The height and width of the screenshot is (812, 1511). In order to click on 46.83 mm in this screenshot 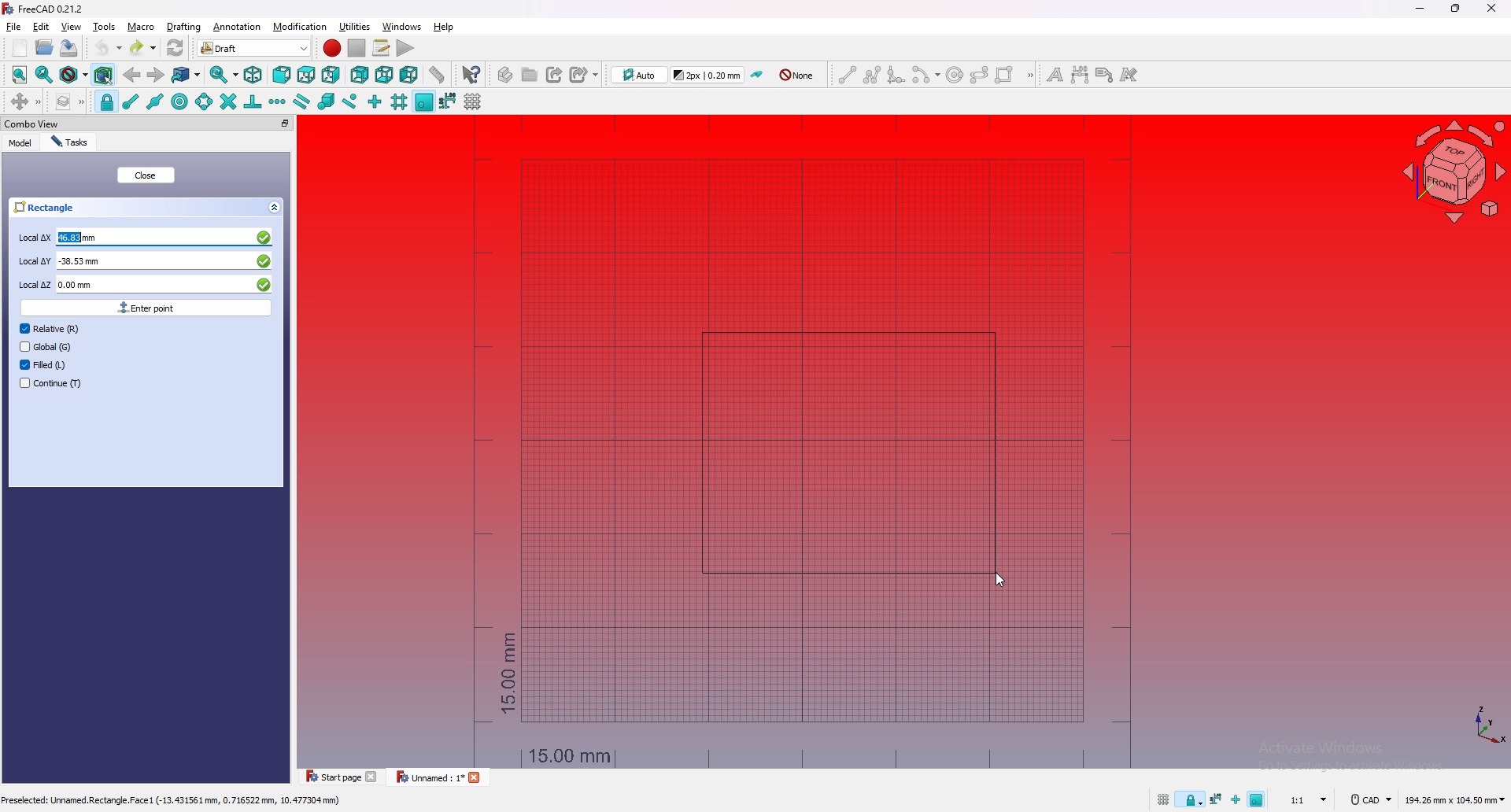, I will do `click(165, 238)`.